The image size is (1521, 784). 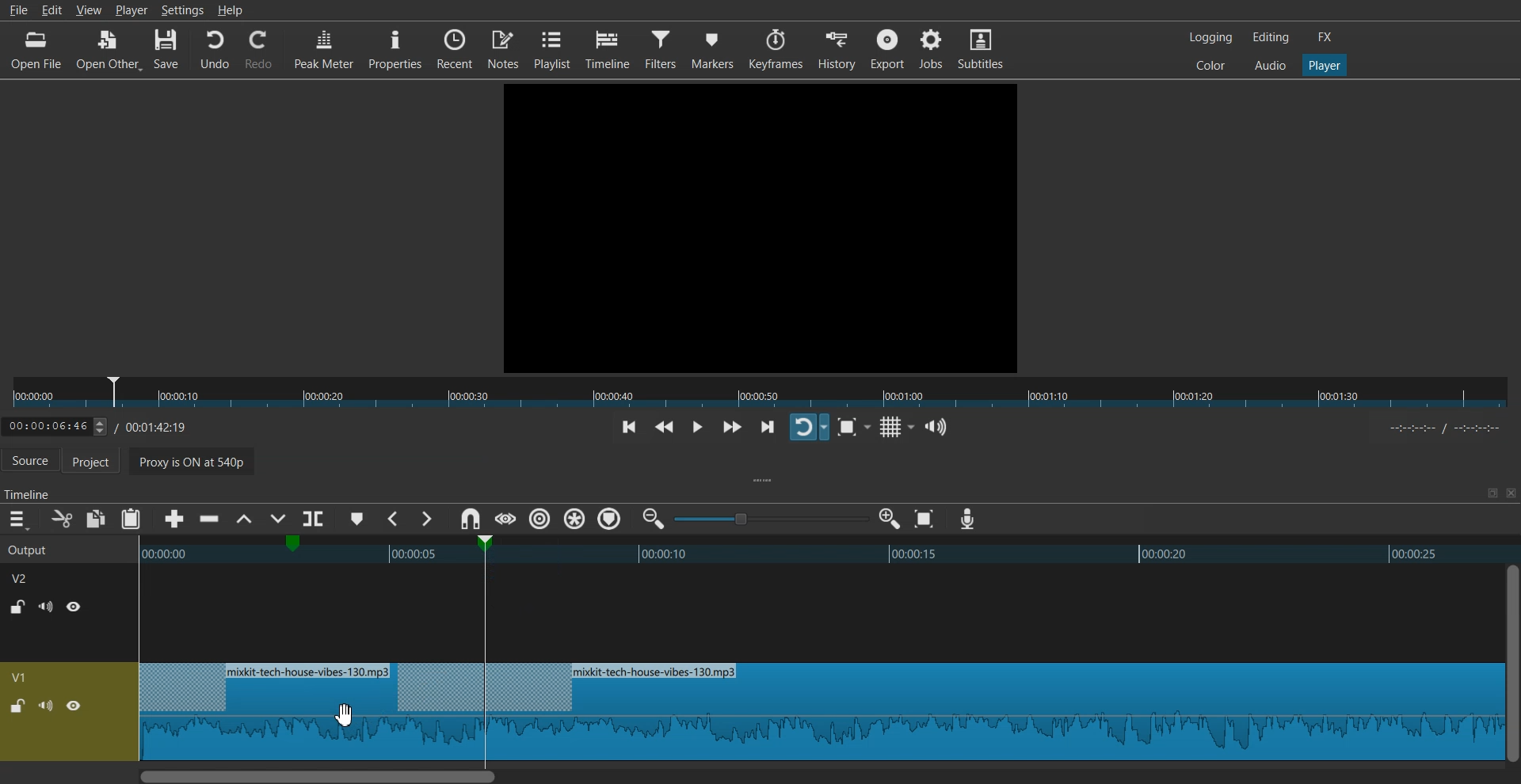 I want to click on Timeline, so click(x=609, y=49).